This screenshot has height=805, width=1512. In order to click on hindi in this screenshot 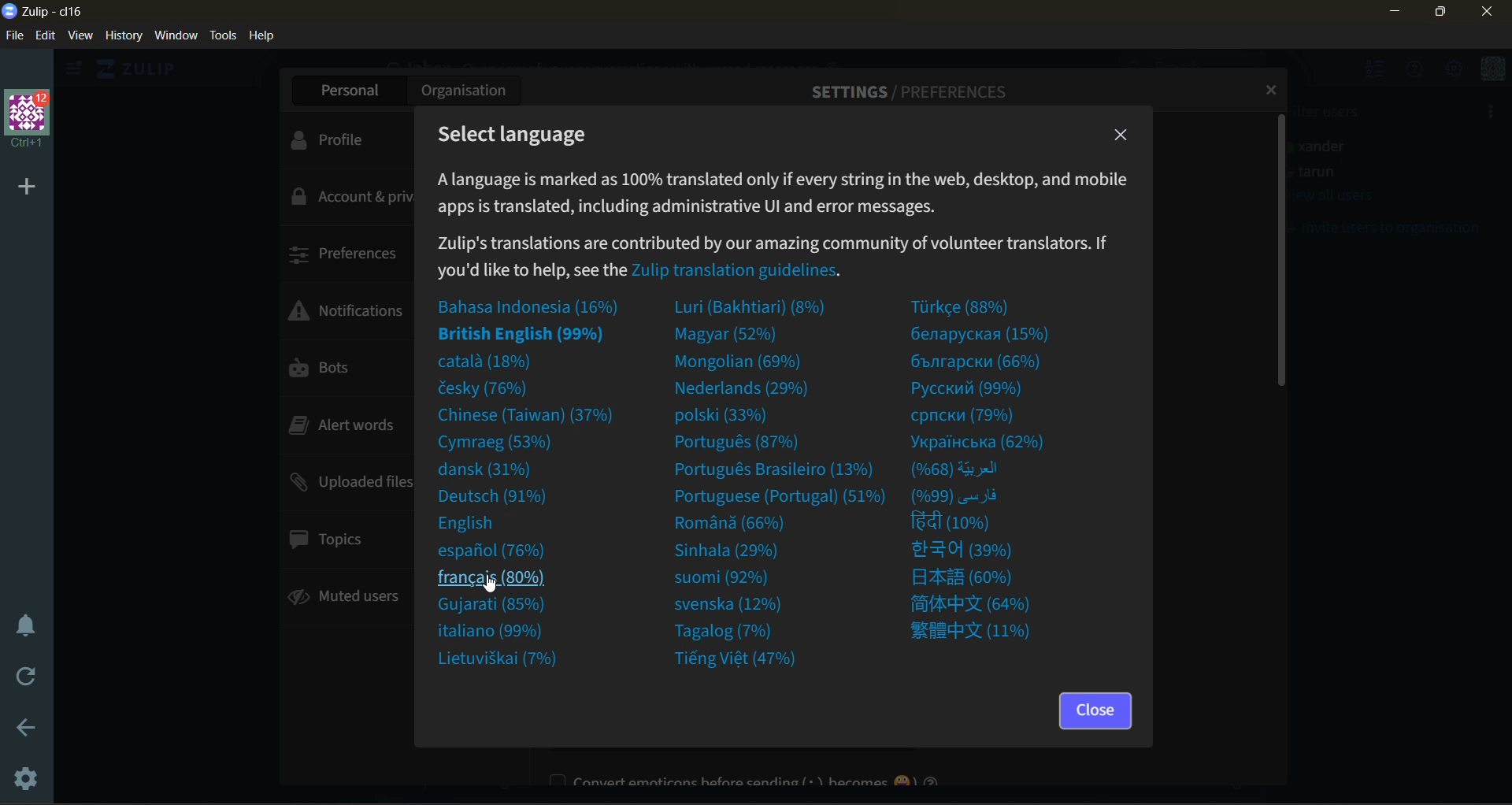, I will do `click(954, 521)`.